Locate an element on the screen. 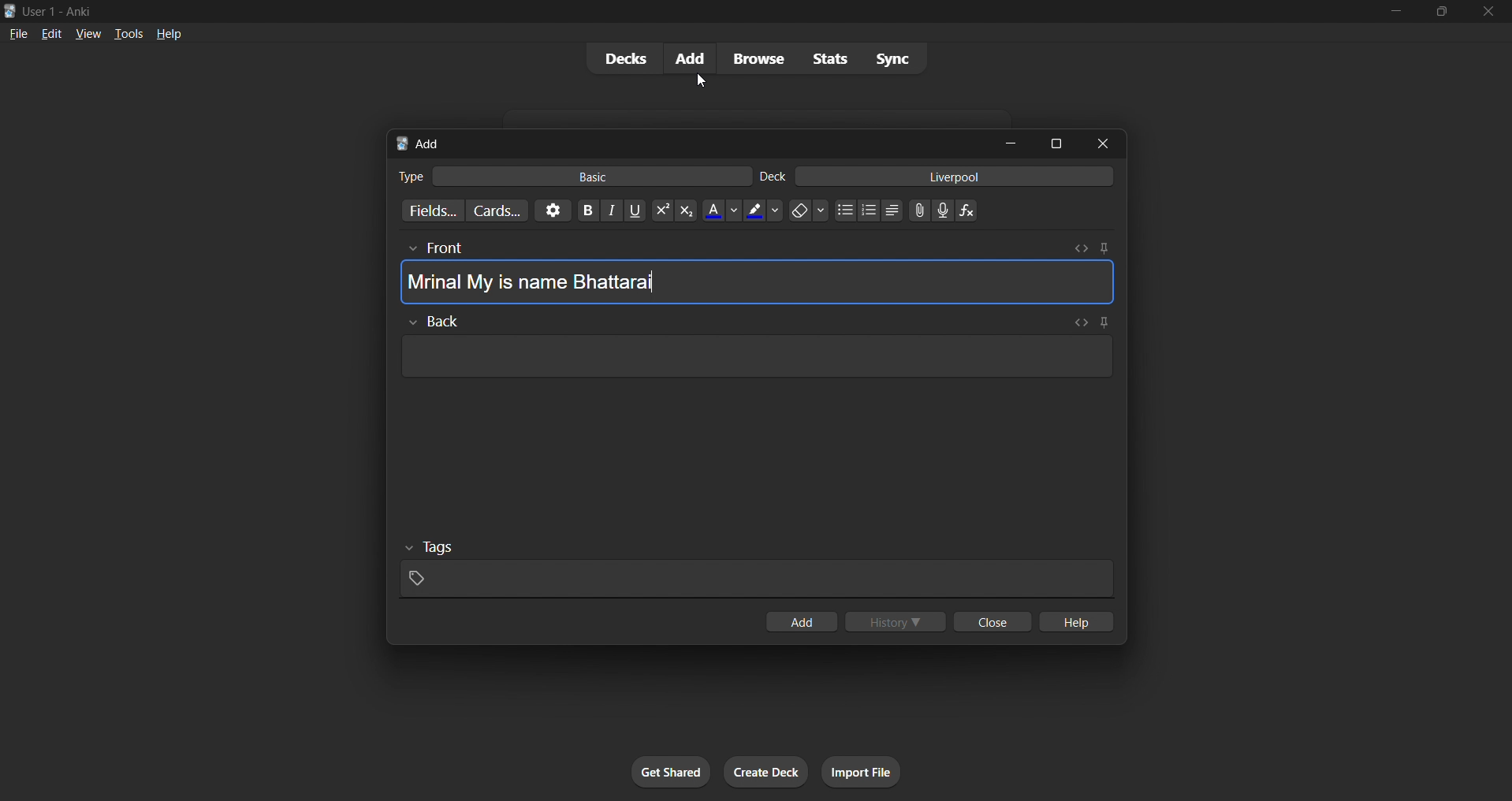 The height and width of the screenshot is (801, 1512). add title bar is located at coordinates (680, 141).